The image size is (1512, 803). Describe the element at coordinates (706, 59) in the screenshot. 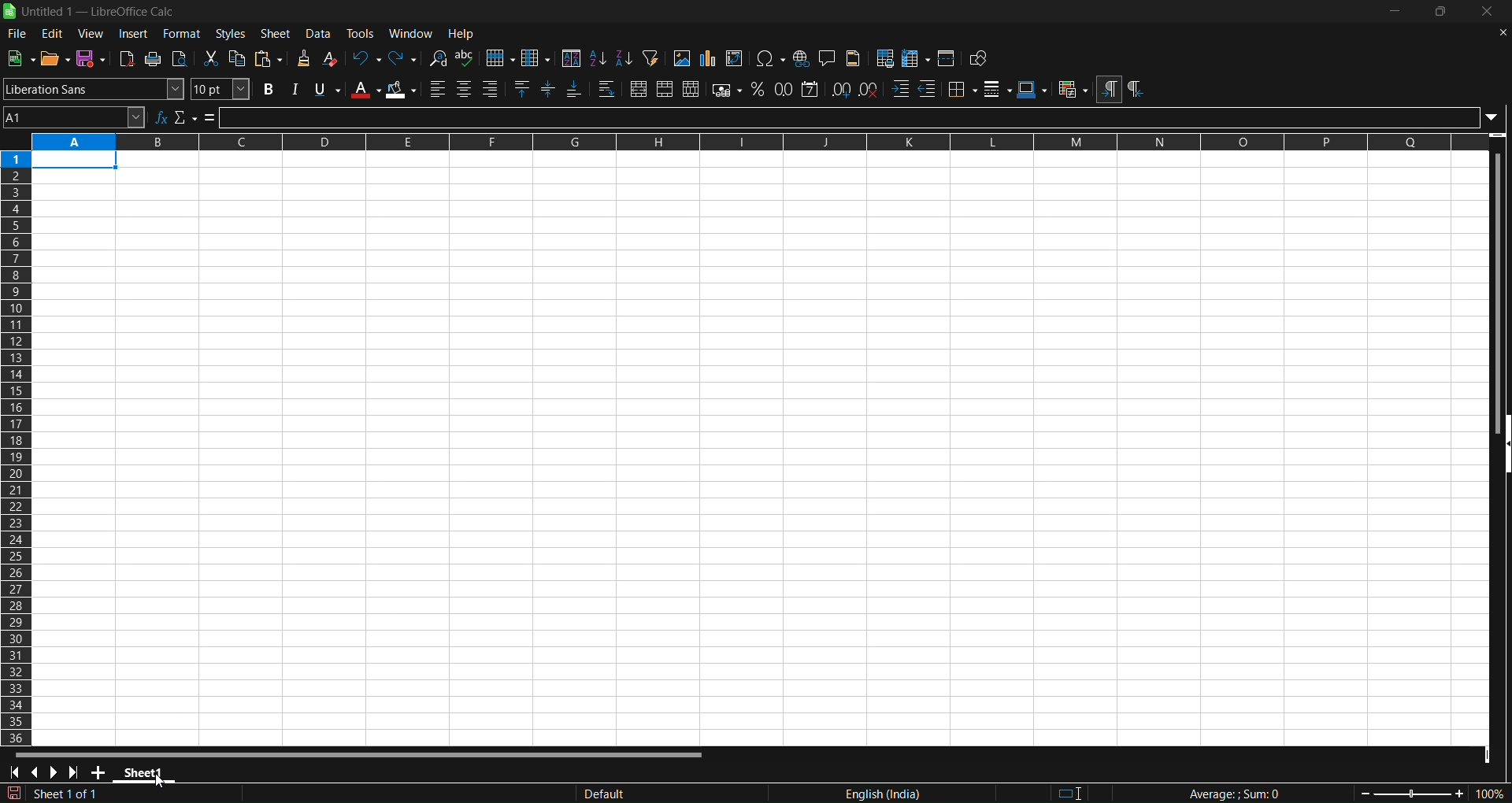

I see `insert chart` at that location.